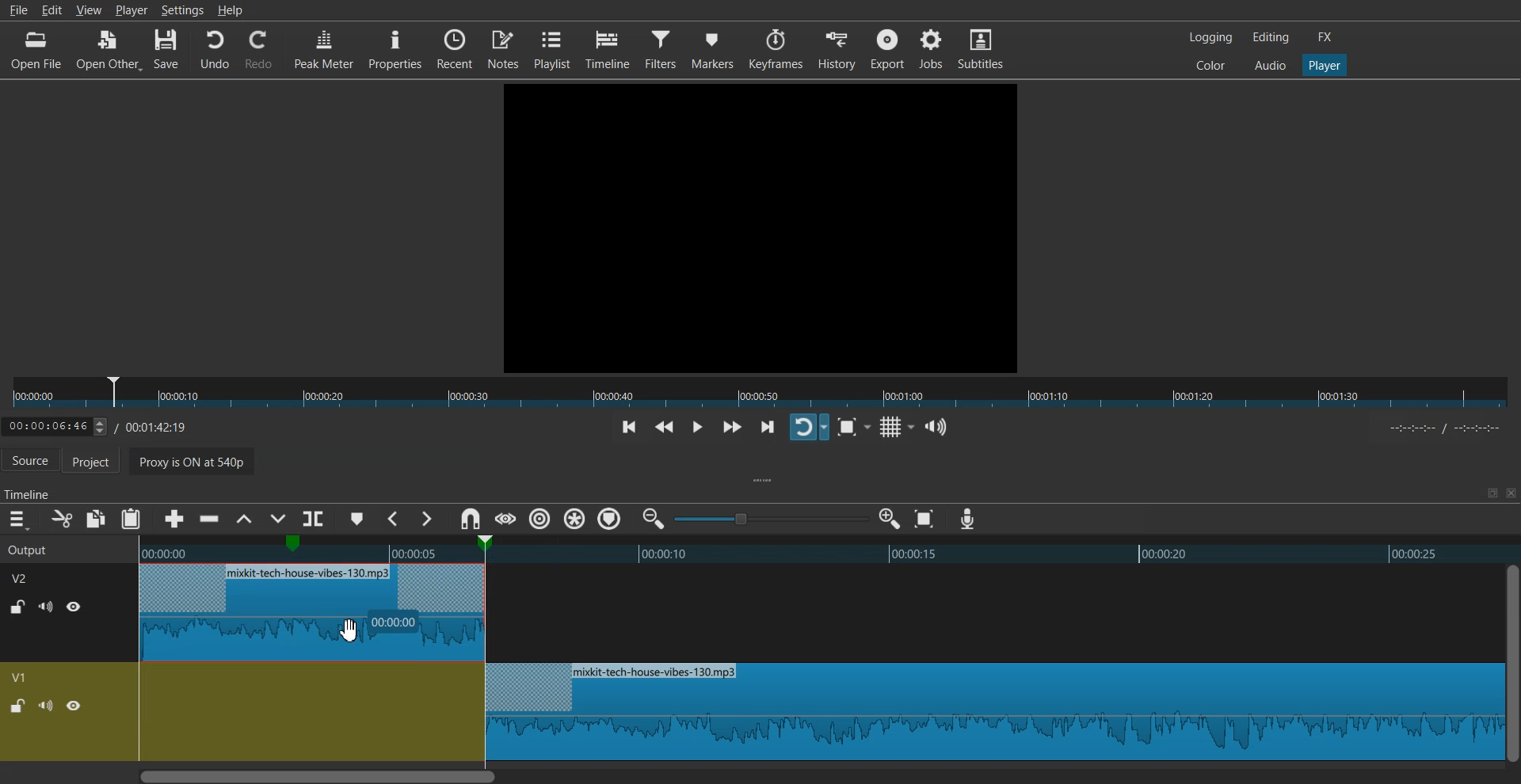 The width and height of the screenshot is (1521, 784). I want to click on Zoom timeline out, so click(654, 518).